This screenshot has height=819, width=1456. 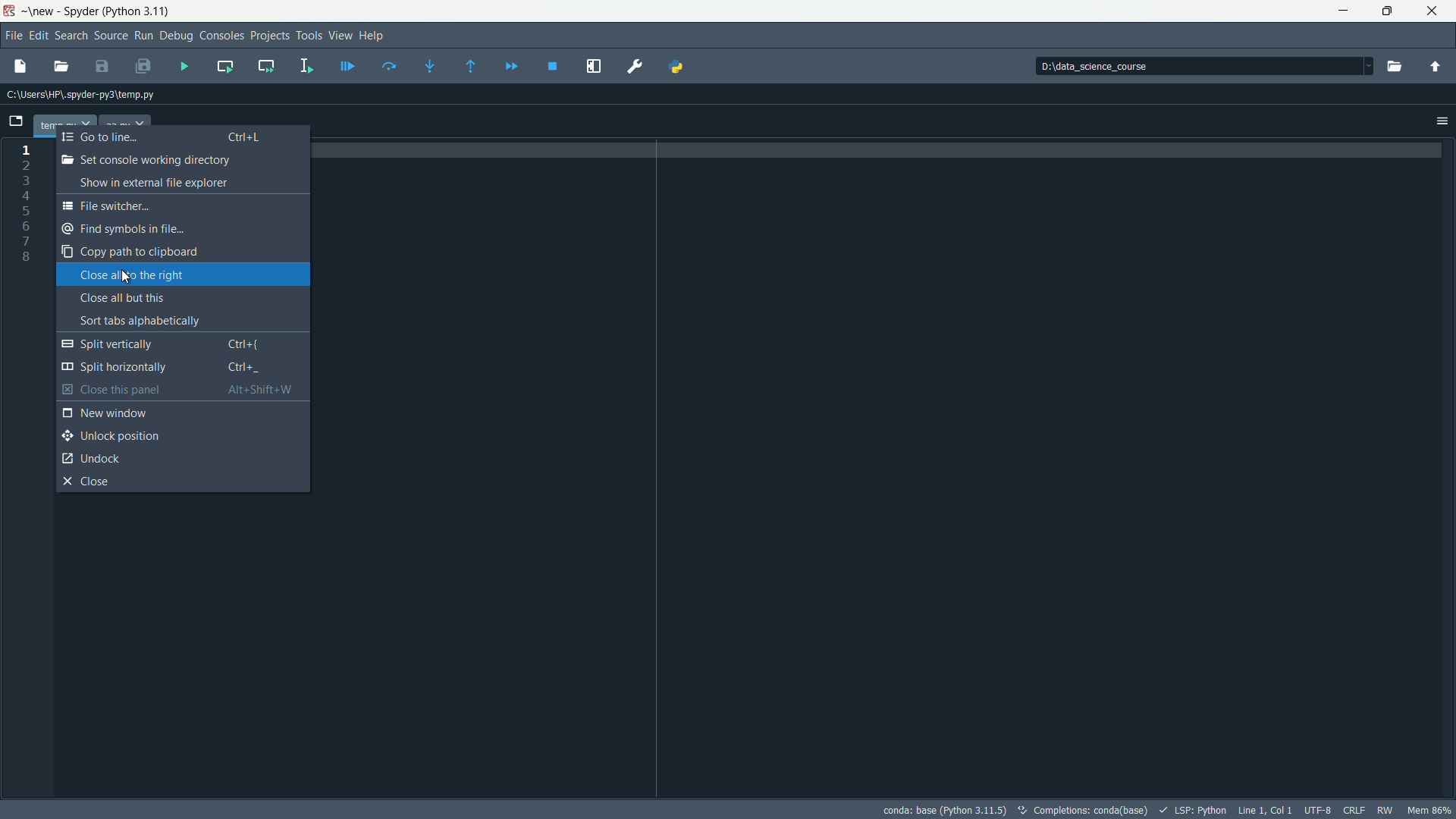 What do you see at coordinates (1439, 121) in the screenshot?
I see `options` at bounding box center [1439, 121].